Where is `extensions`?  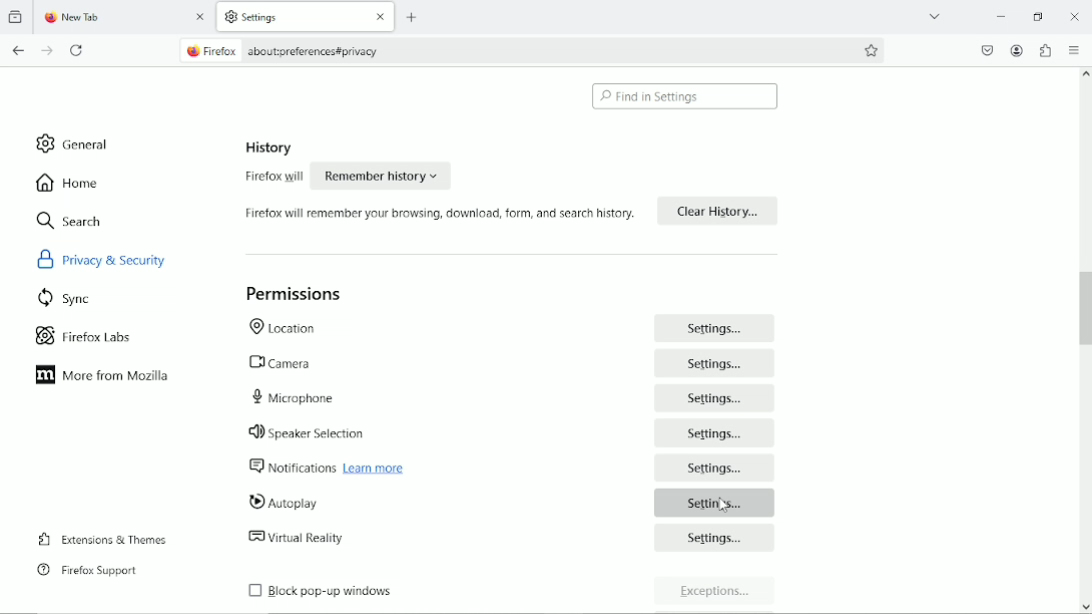 extensions is located at coordinates (1045, 50).